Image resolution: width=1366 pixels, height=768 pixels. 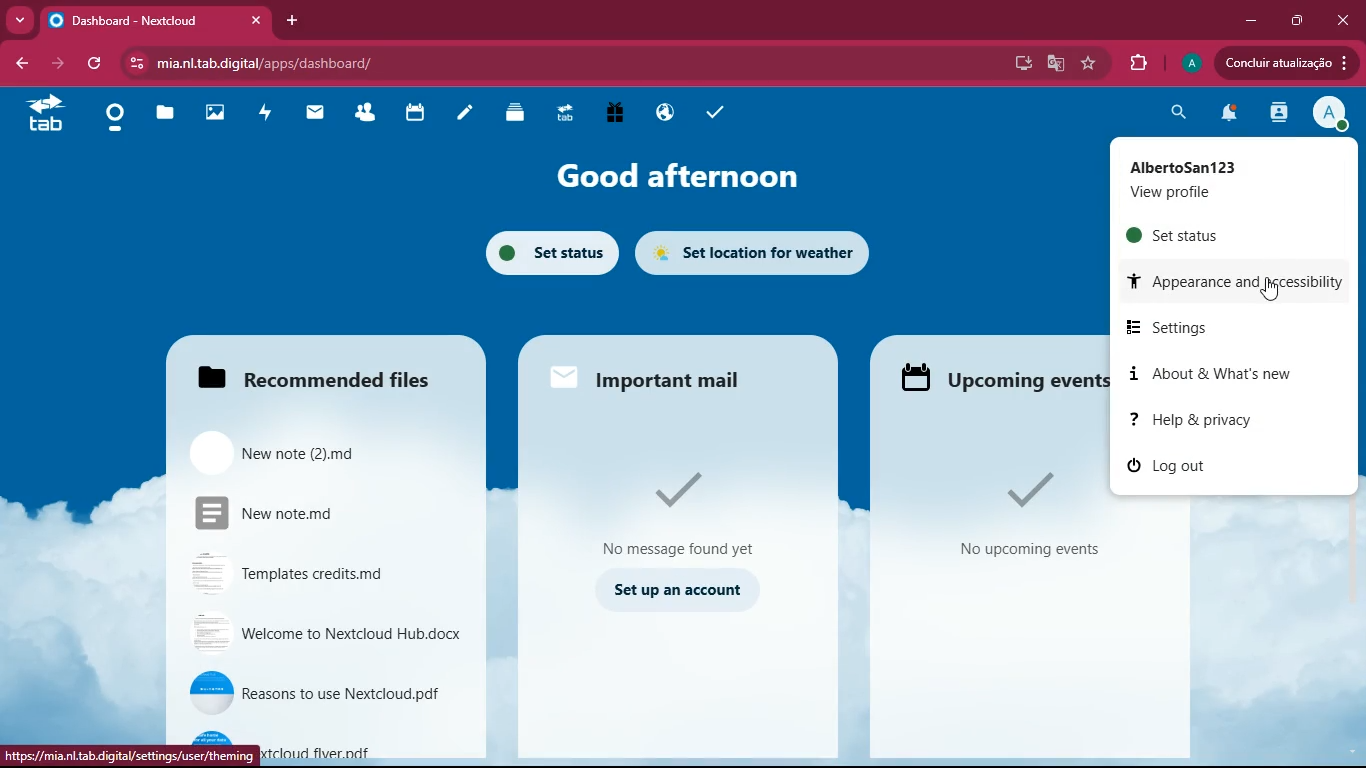 What do you see at coordinates (1284, 64) in the screenshot?
I see `Condluir atualizagio` at bounding box center [1284, 64].